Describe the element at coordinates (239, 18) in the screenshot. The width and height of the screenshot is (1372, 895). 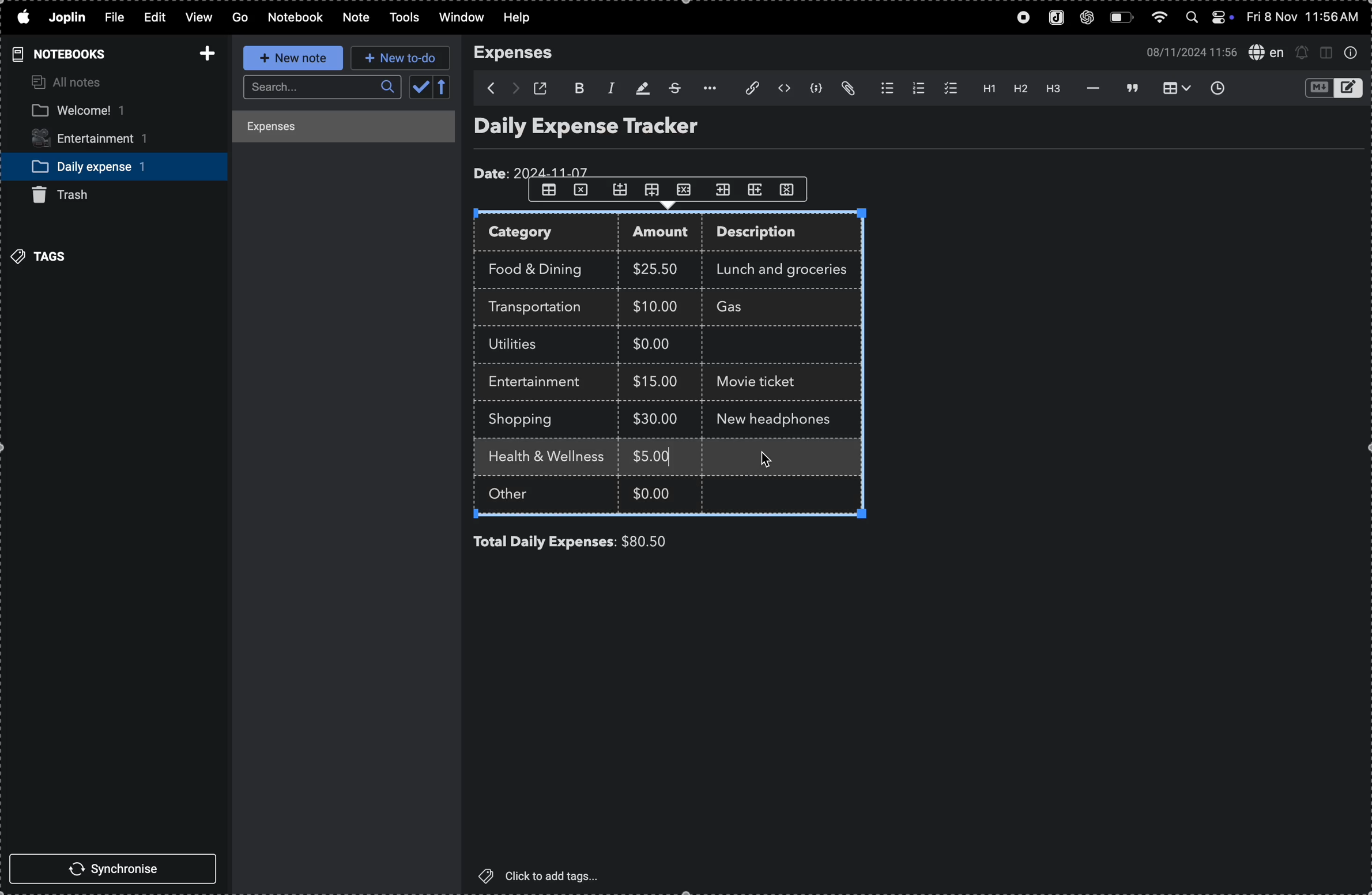
I see `go` at that location.